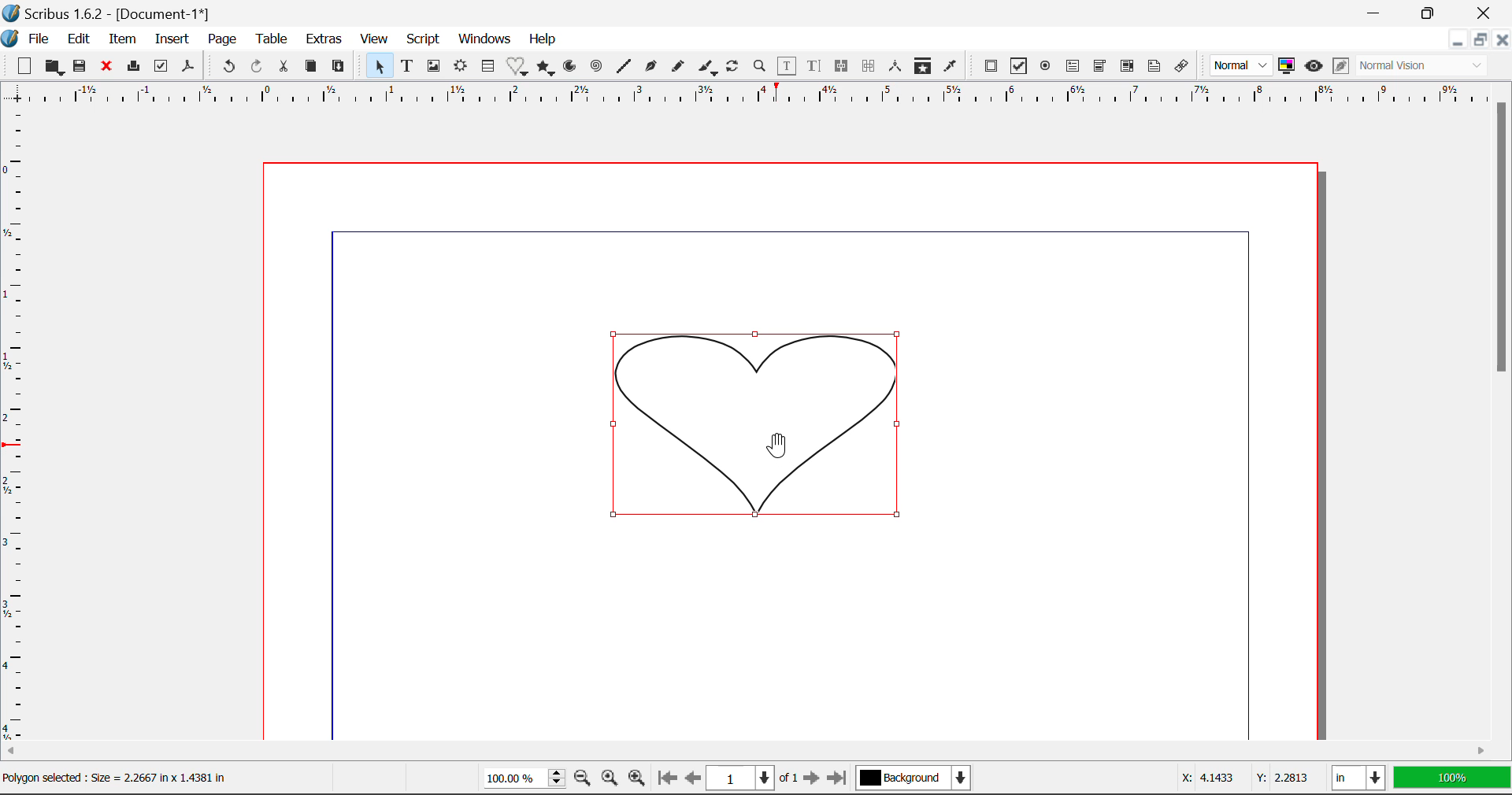 The image size is (1512, 795). What do you see at coordinates (310, 67) in the screenshot?
I see `Copy` at bounding box center [310, 67].